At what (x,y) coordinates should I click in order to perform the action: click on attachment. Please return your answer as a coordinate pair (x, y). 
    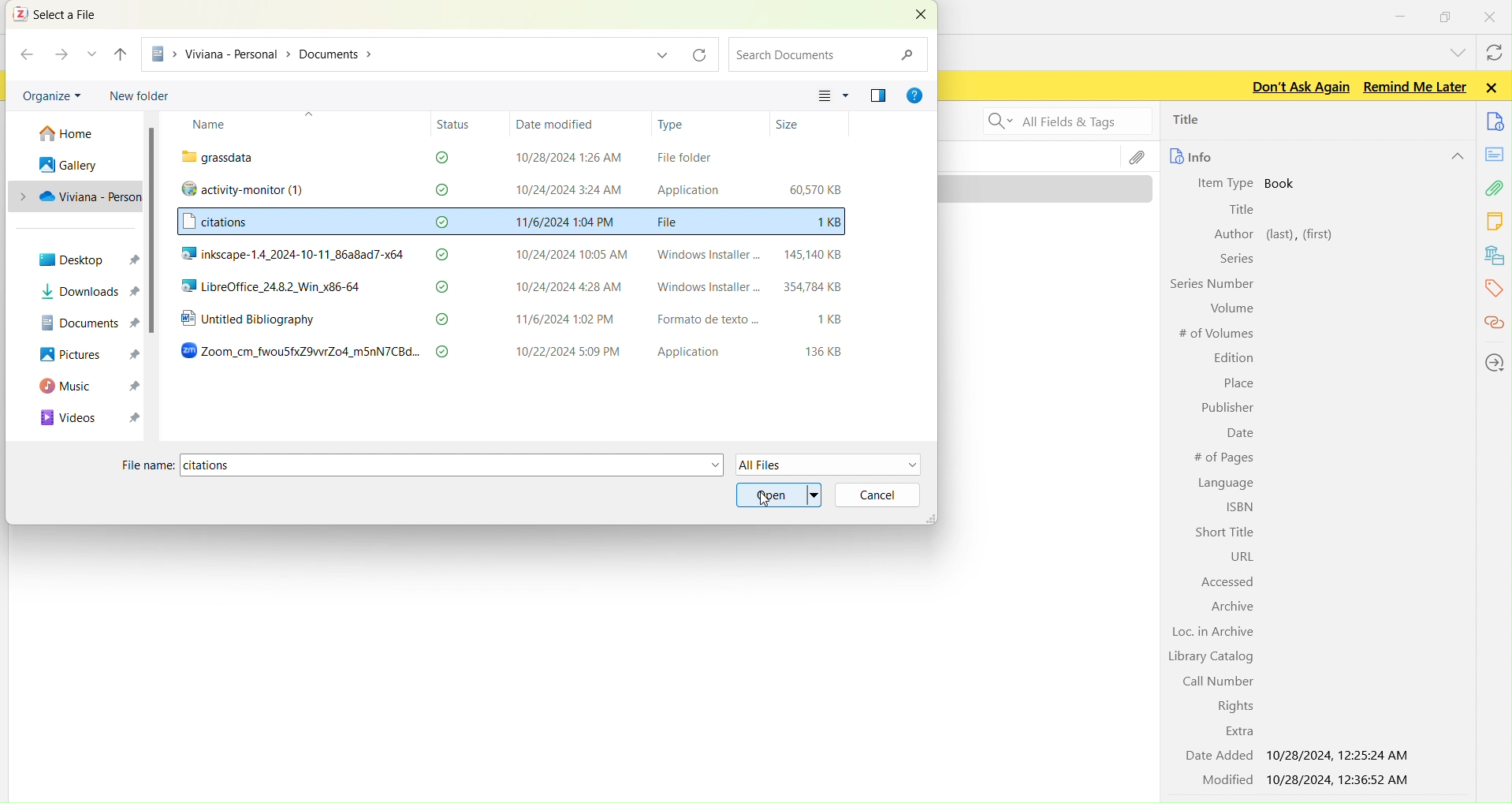
    Looking at the image, I should click on (1496, 188).